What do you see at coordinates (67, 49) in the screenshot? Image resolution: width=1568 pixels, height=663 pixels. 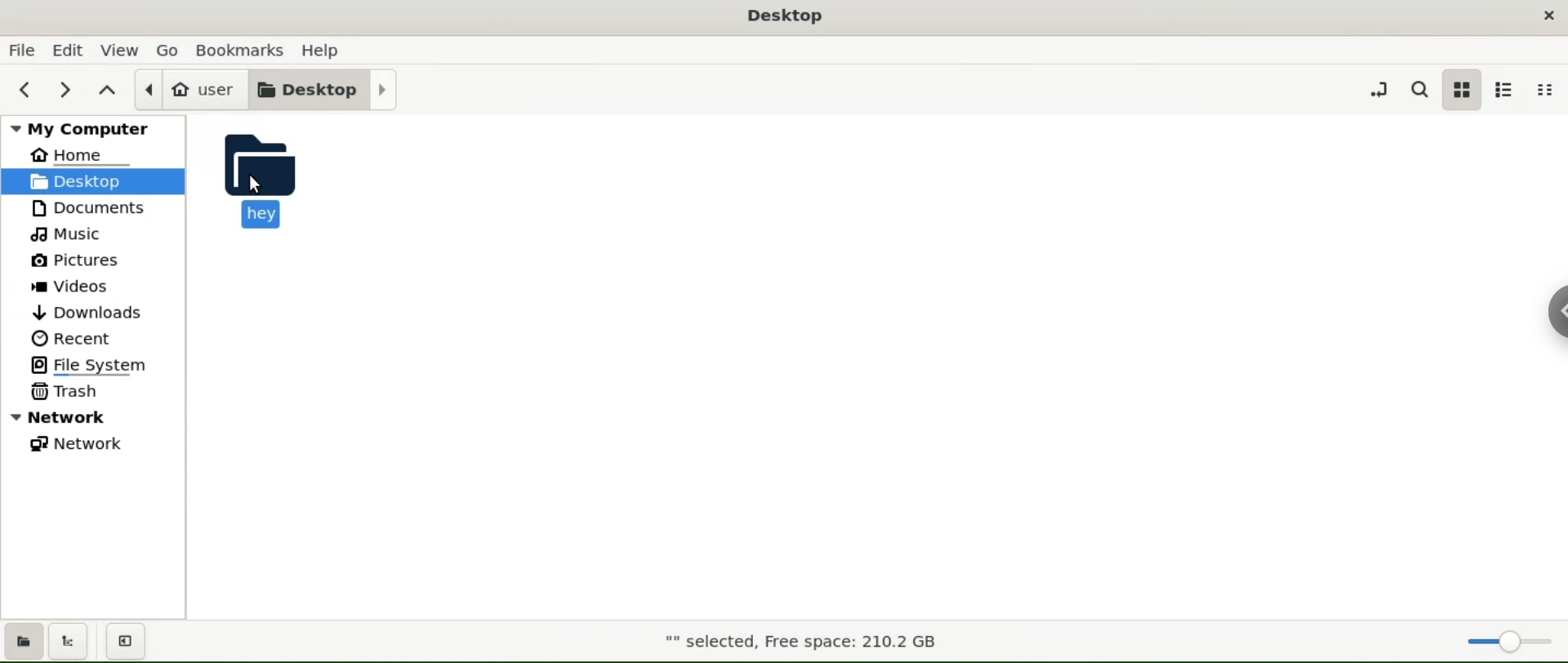 I see `edit` at bounding box center [67, 49].